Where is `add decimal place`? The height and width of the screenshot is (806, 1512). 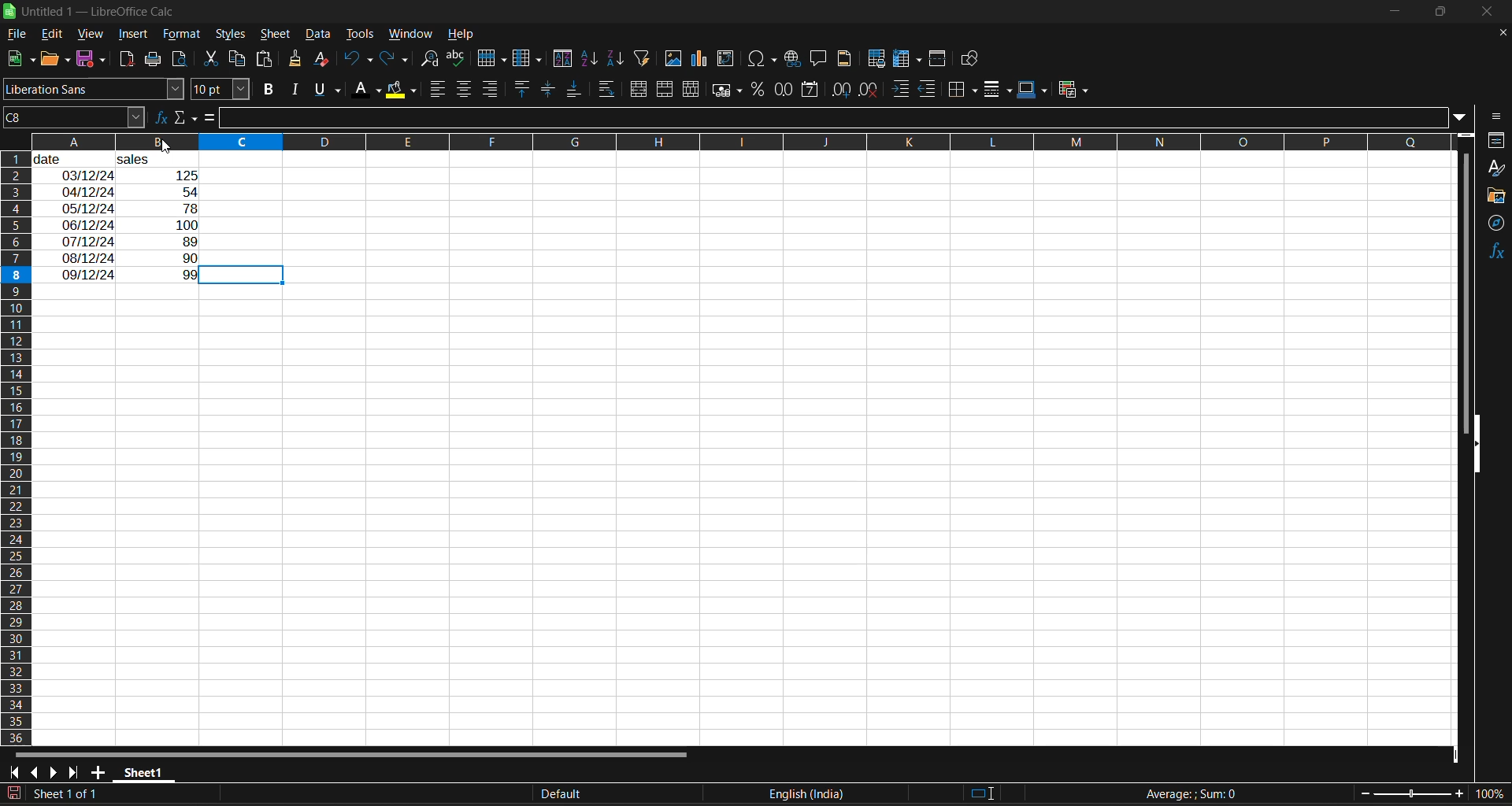
add decimal place is located at coordinates (839, 91).